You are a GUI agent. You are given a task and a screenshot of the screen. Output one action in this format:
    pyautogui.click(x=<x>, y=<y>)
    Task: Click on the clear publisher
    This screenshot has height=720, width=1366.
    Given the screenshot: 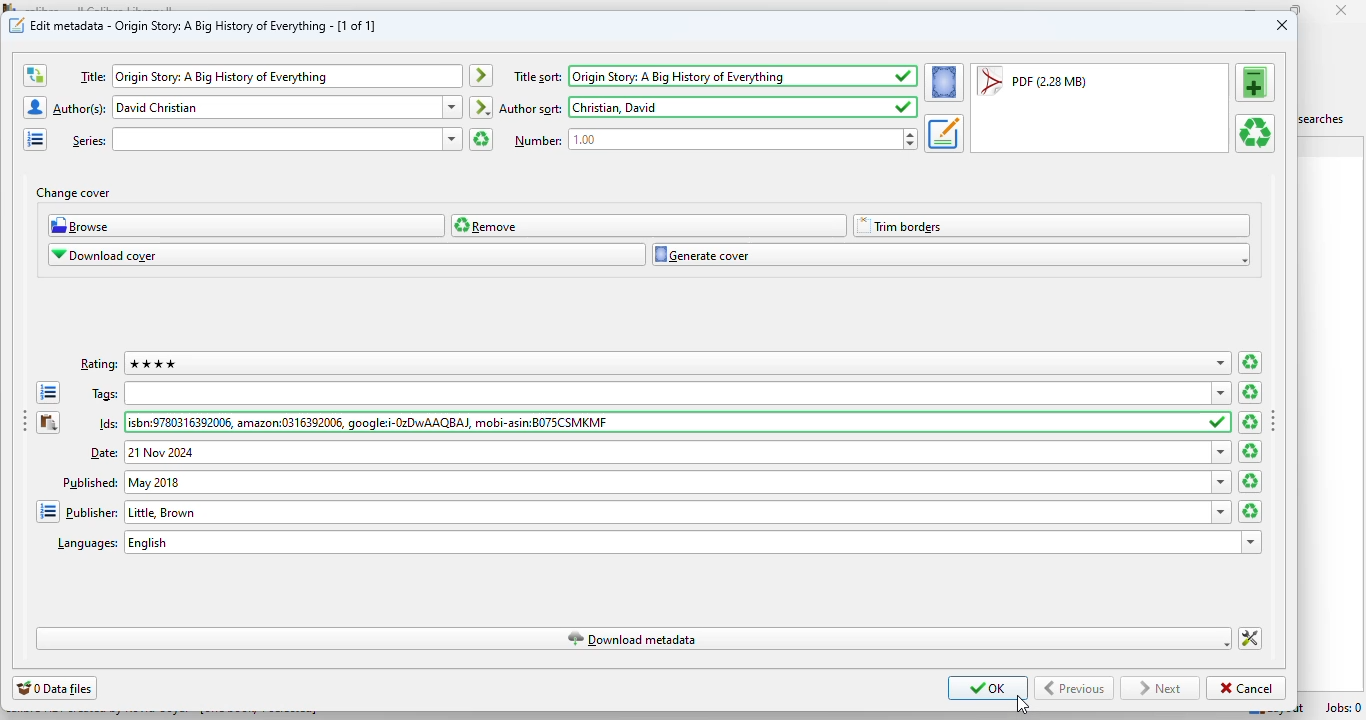 What is the action you would take?
    pyautogui.click(x=1249, y=511)
    